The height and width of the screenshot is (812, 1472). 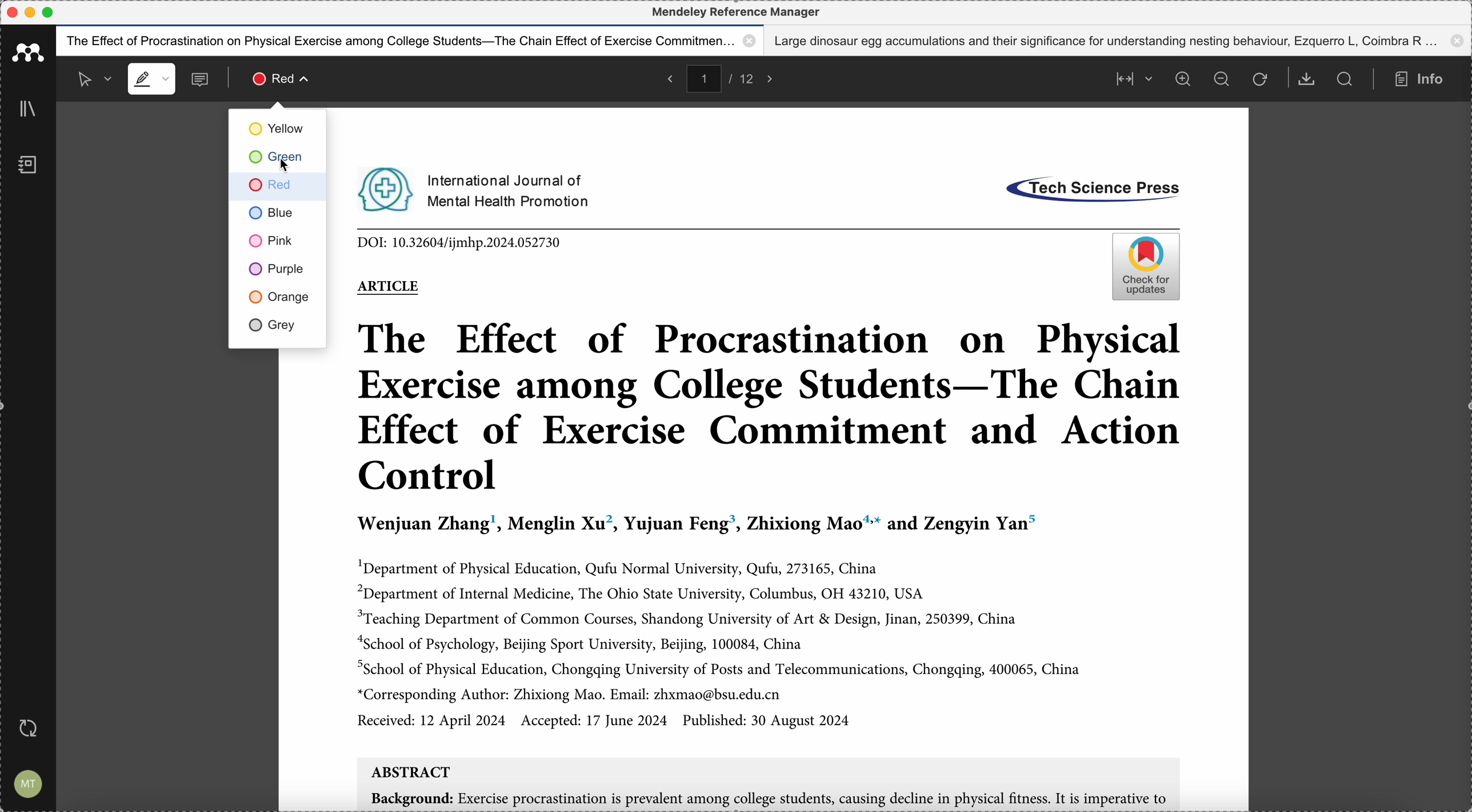 What do you see at coordinates (269, 213) in the screenshot?
I see `blue` at bounding box center [269, 213].